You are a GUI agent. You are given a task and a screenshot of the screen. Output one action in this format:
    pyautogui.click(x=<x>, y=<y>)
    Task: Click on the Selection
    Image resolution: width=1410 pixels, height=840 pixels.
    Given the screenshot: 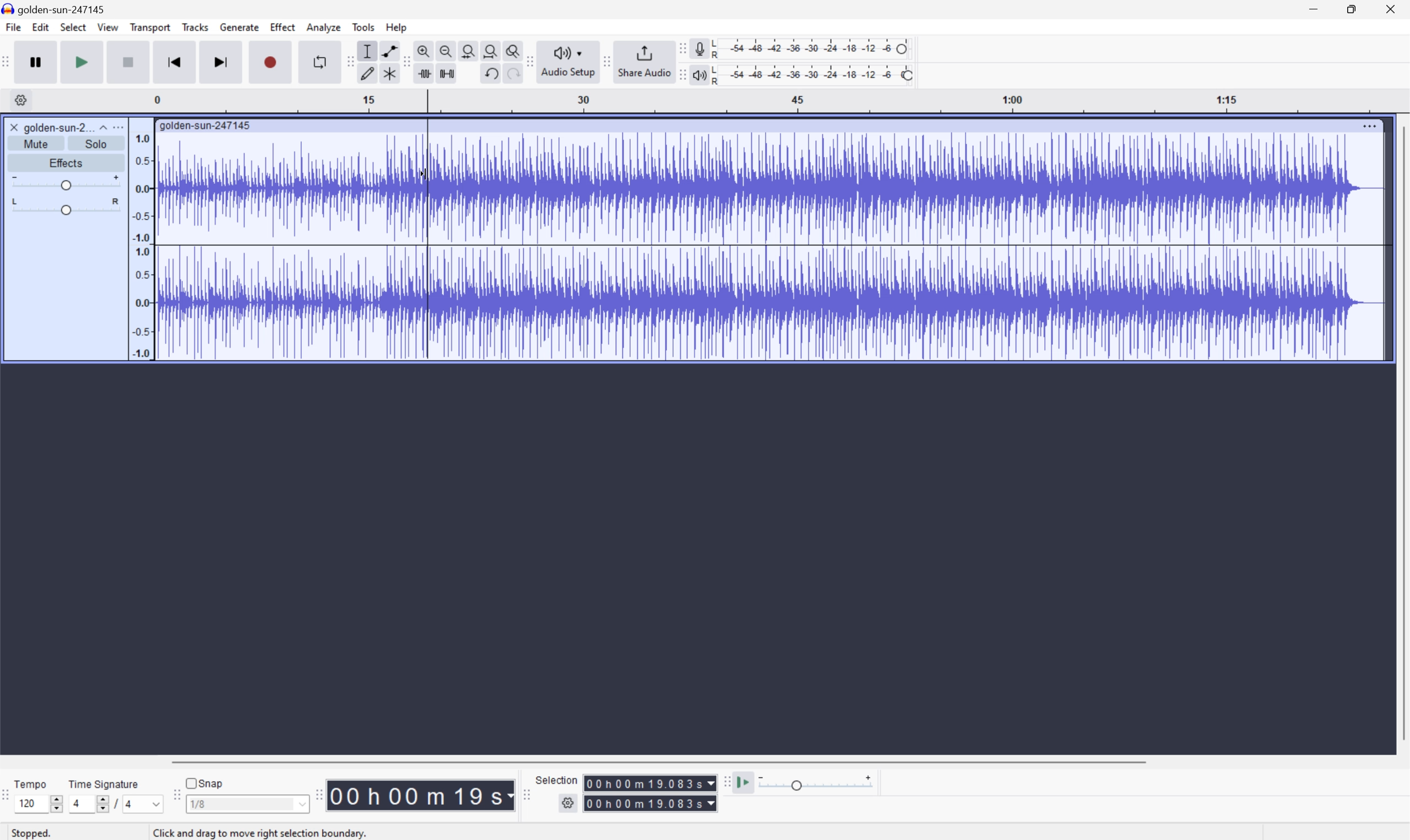 What is the action you would take?
    pyautogui.click(x=651, y=793)
    